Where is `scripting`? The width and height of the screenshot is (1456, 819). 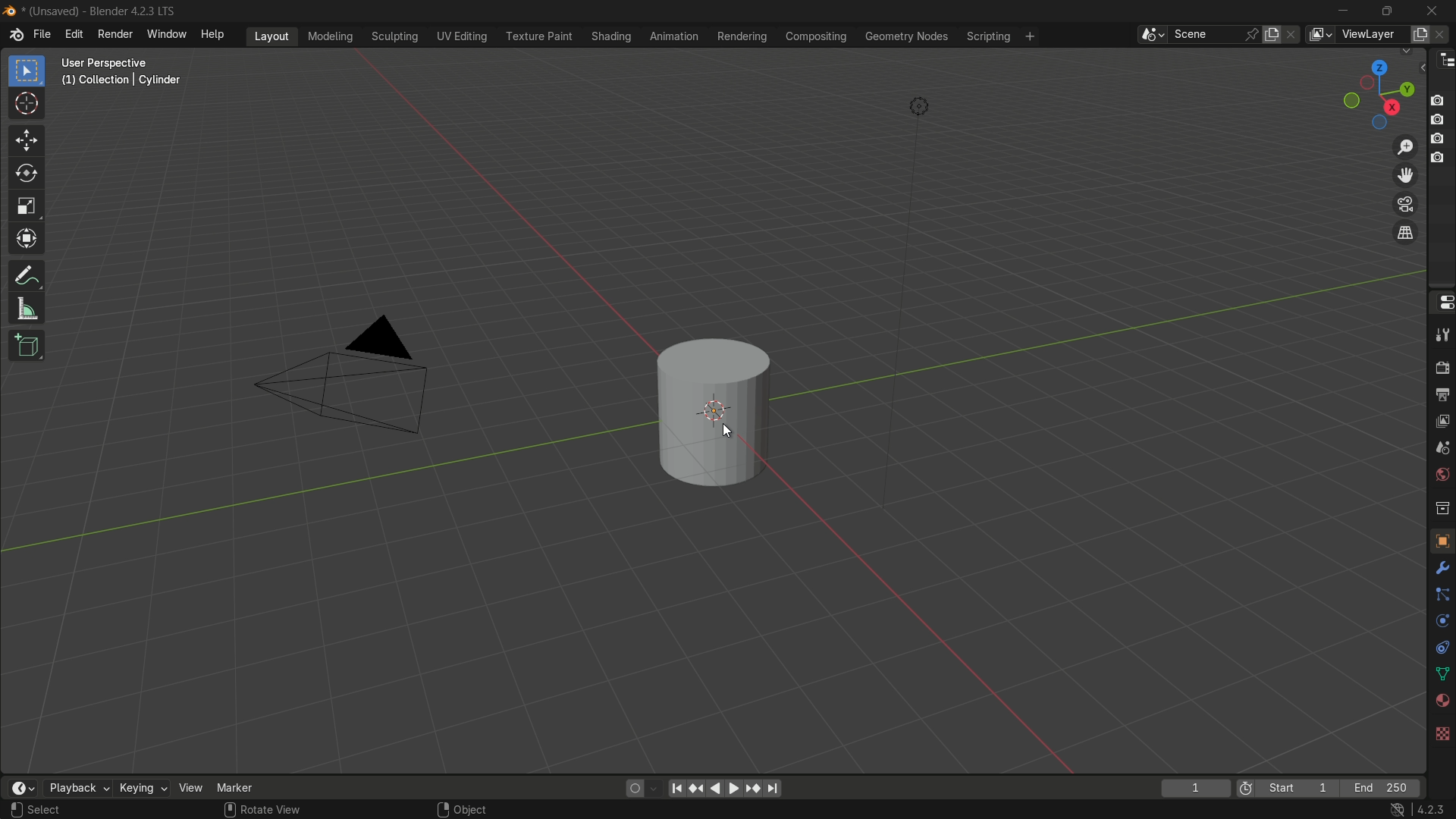 scripting is located at coordinates (989, 36).